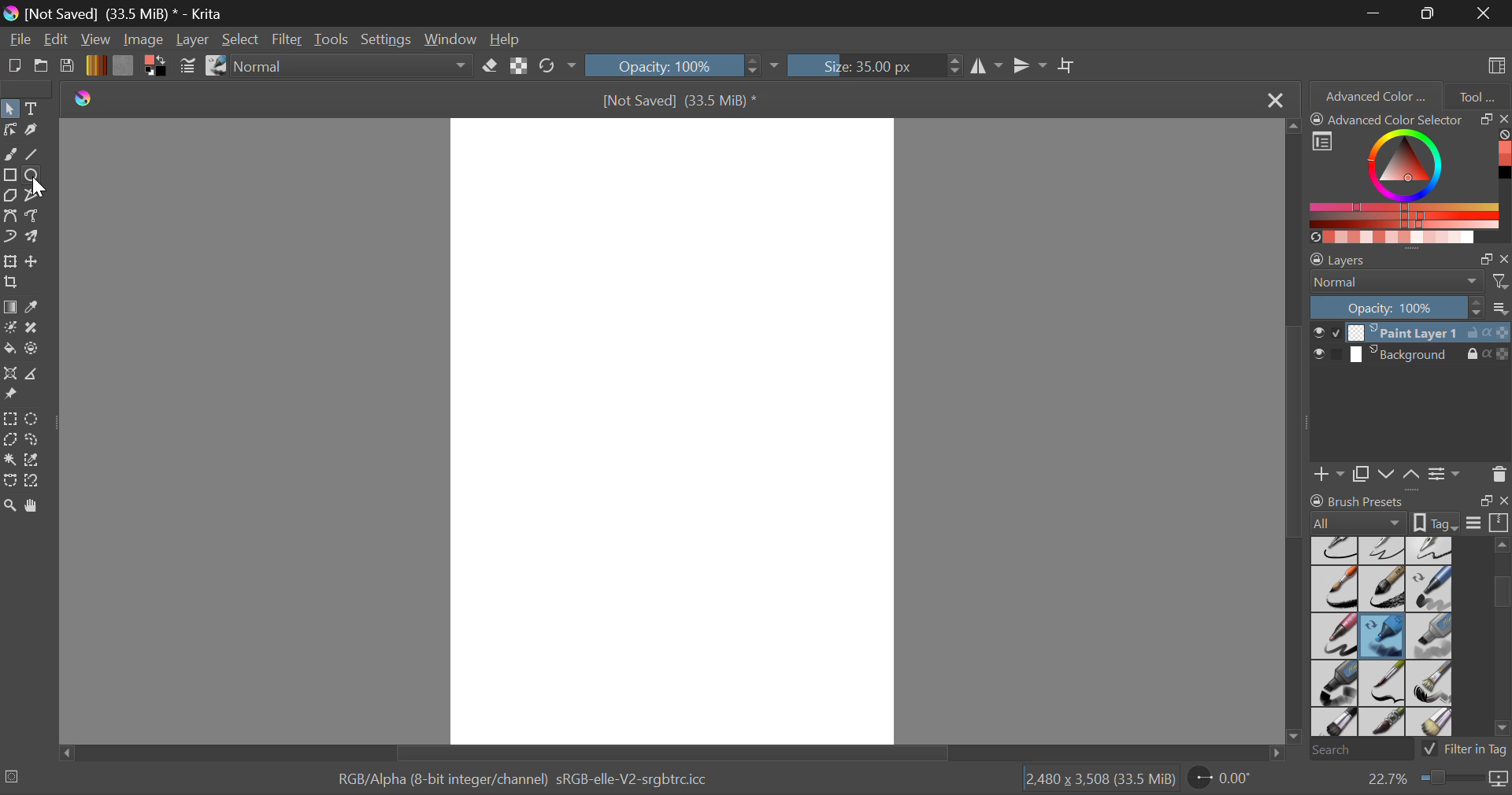 The height and width of the screenshot is (795, 1512). Describe the element at coordinates (685, 102) in the screenshot. I see `[Not Saved] (33.5 MiB) *` at that location.